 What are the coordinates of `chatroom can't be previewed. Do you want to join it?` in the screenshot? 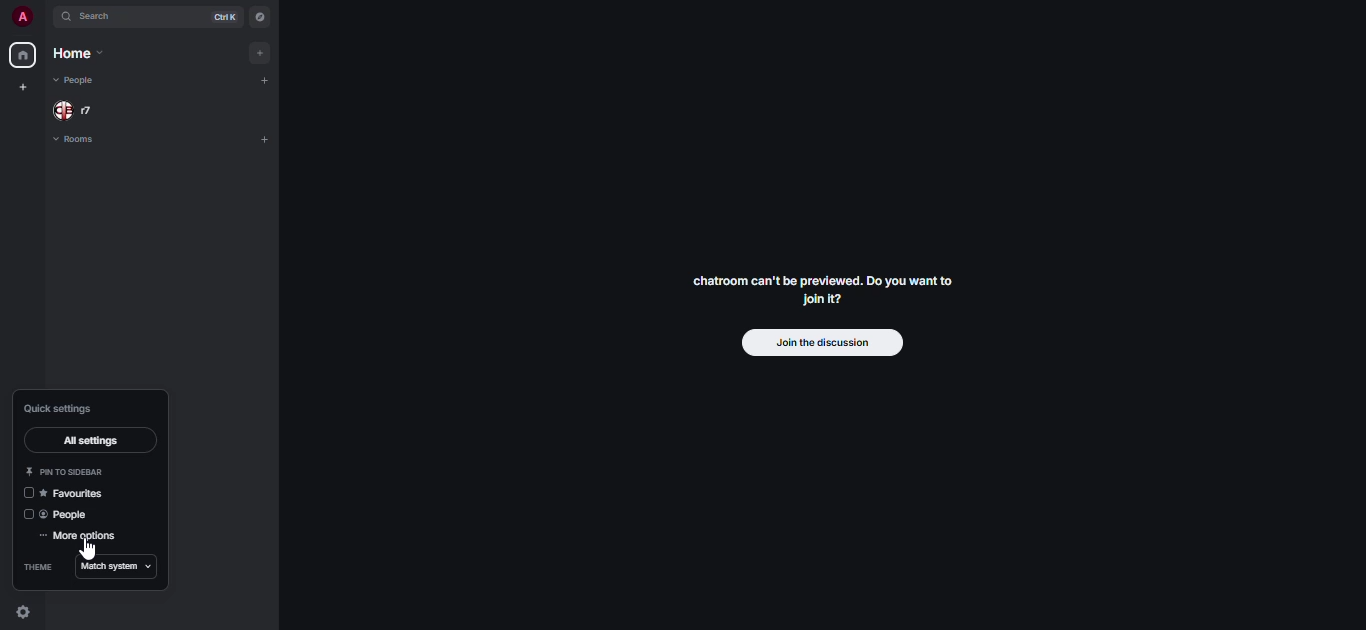 It's located at (825, 288).